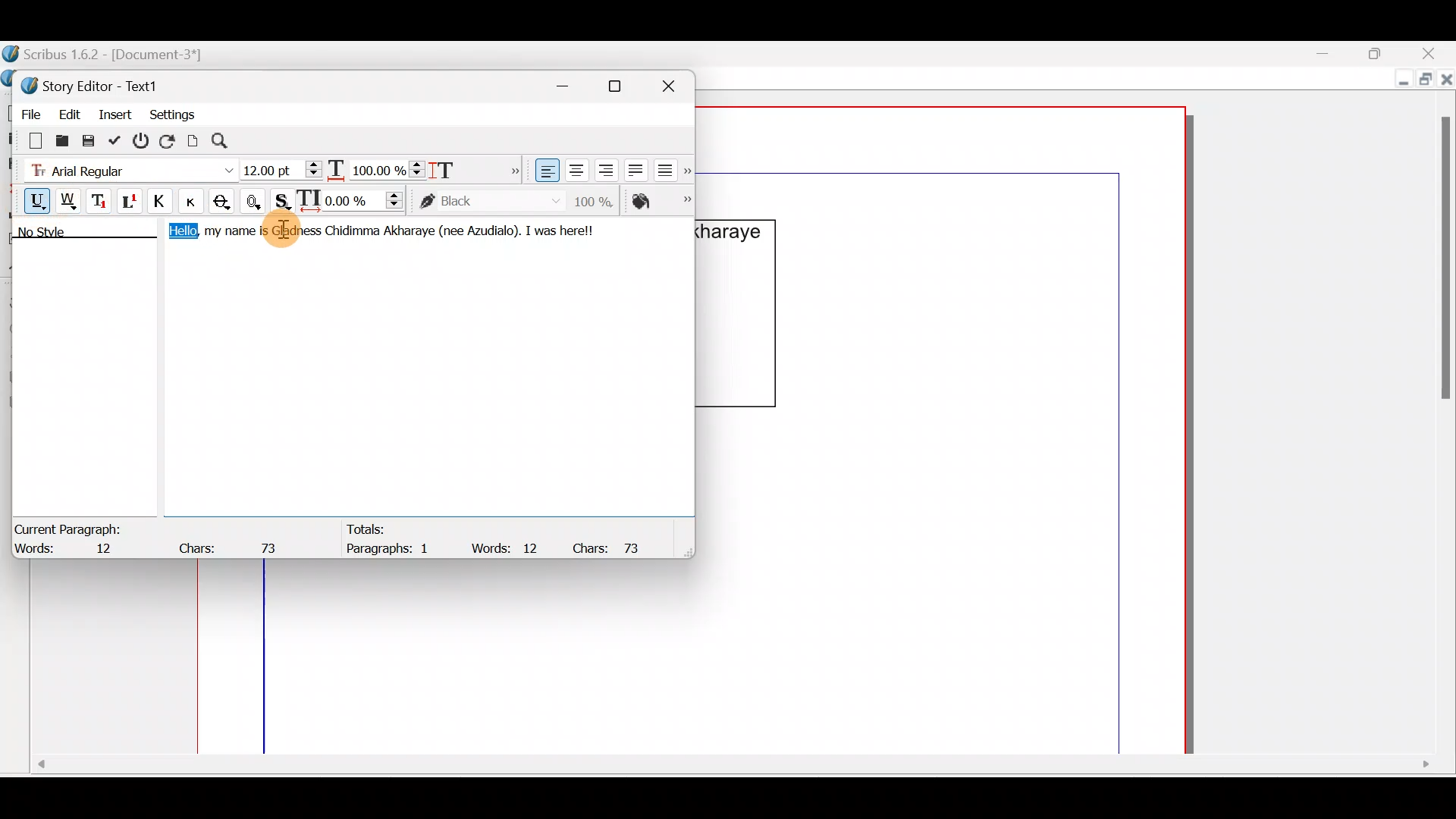 The height and width of the screenshot is (819, 1456). Describe the element at coordinates (232, 544) in the screenshot. I see `Chars: 73` at that location.